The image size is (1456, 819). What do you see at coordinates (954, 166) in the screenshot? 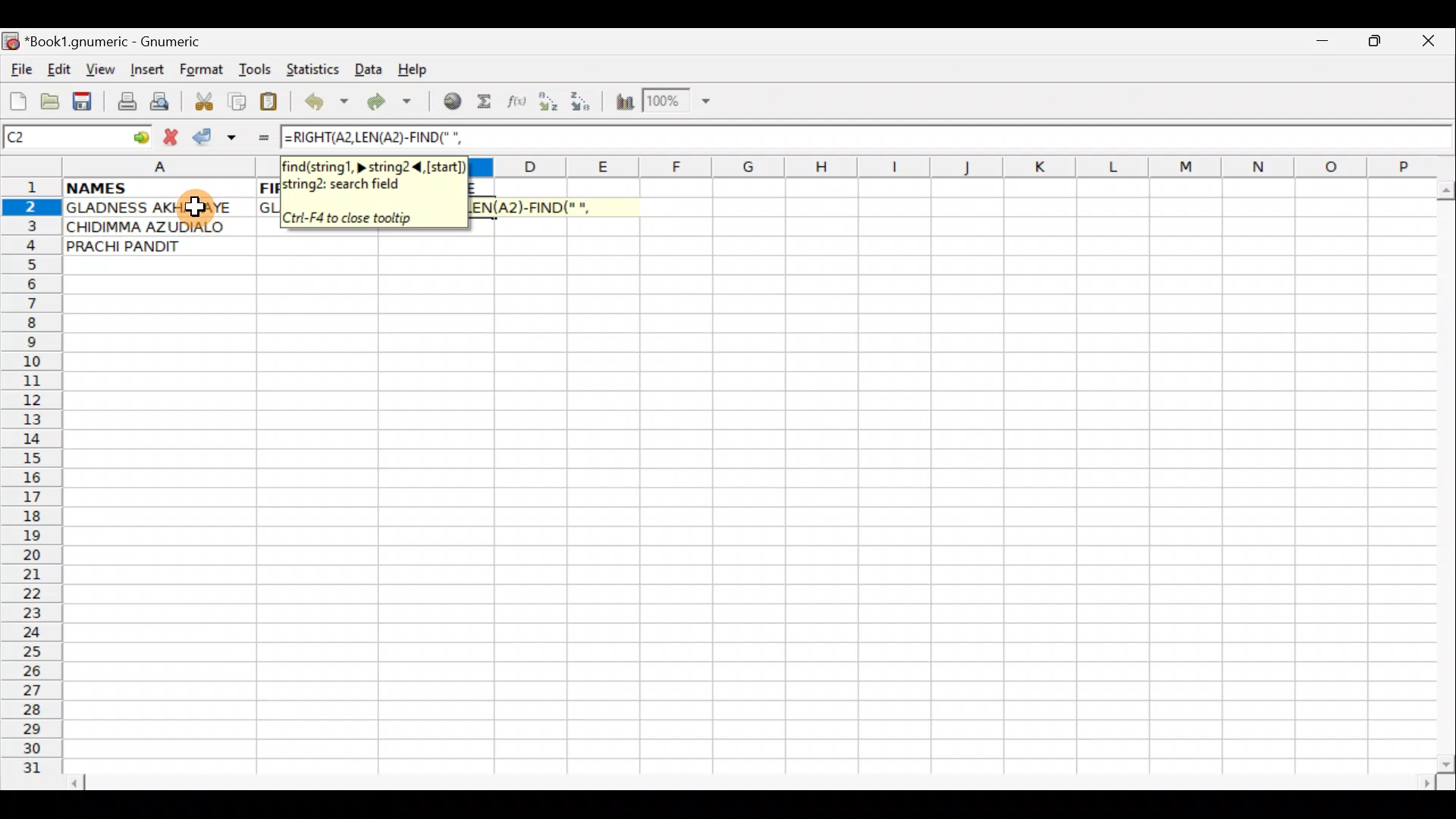
I see `Columns` at bounding box center [954, 166].